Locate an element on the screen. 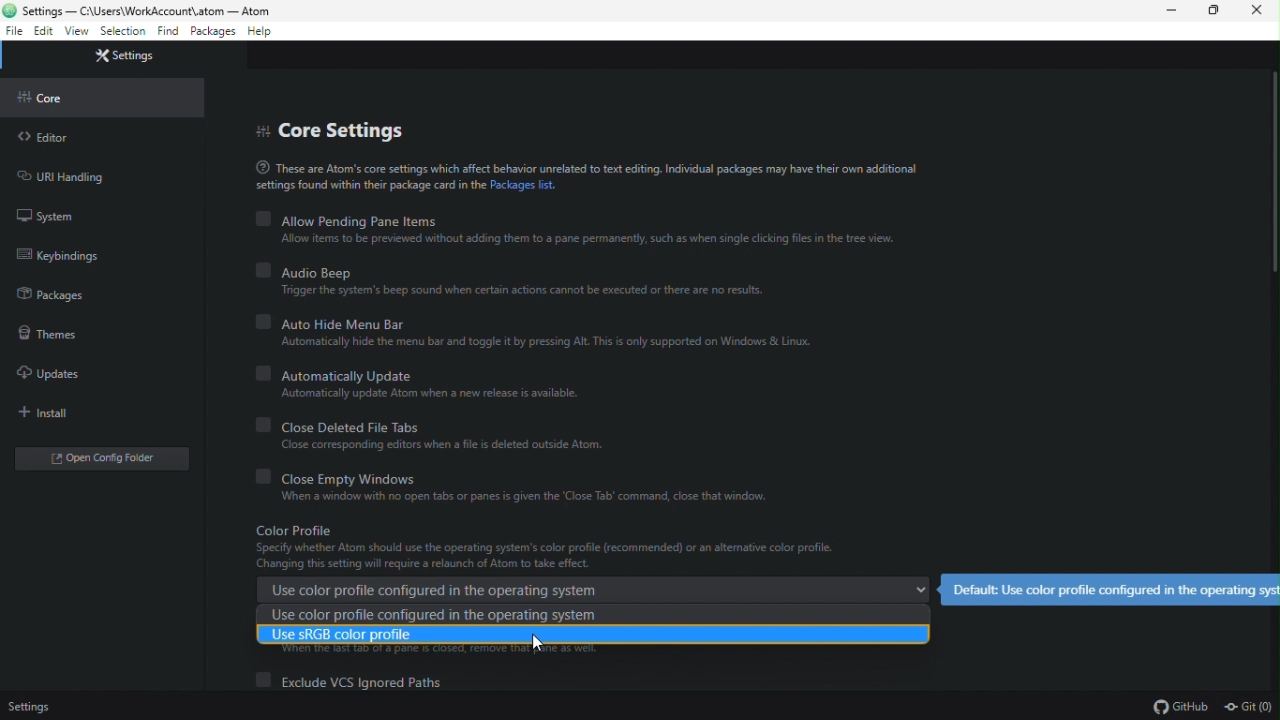 This screenshot has width=1280, height=720. themes is located at coordinates (50, 332).